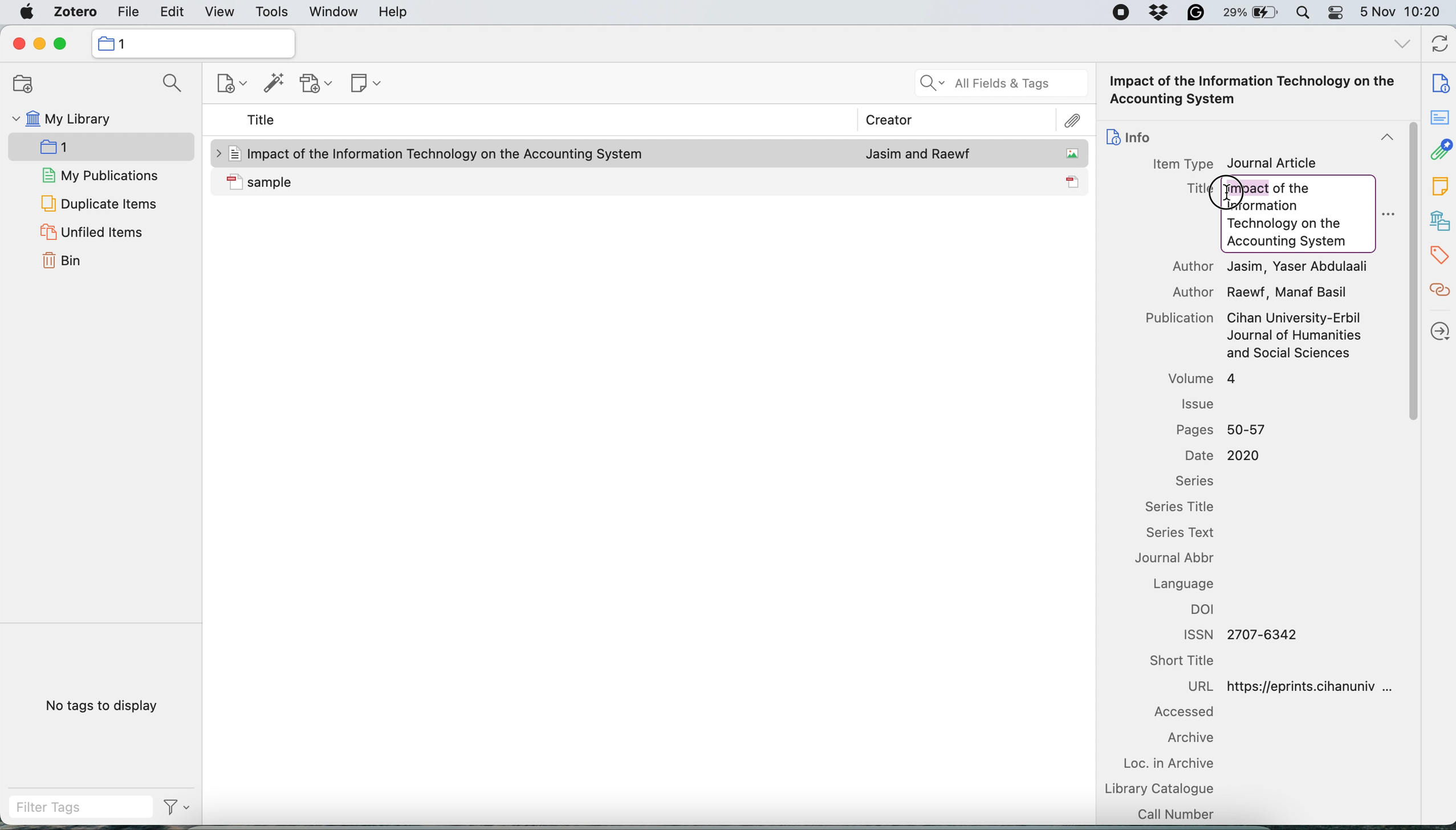 Image resolution: width=1456 pixels, height=830 pixels. I want to click on Author Raewf, Manaf Basil, so click(1260, 292).